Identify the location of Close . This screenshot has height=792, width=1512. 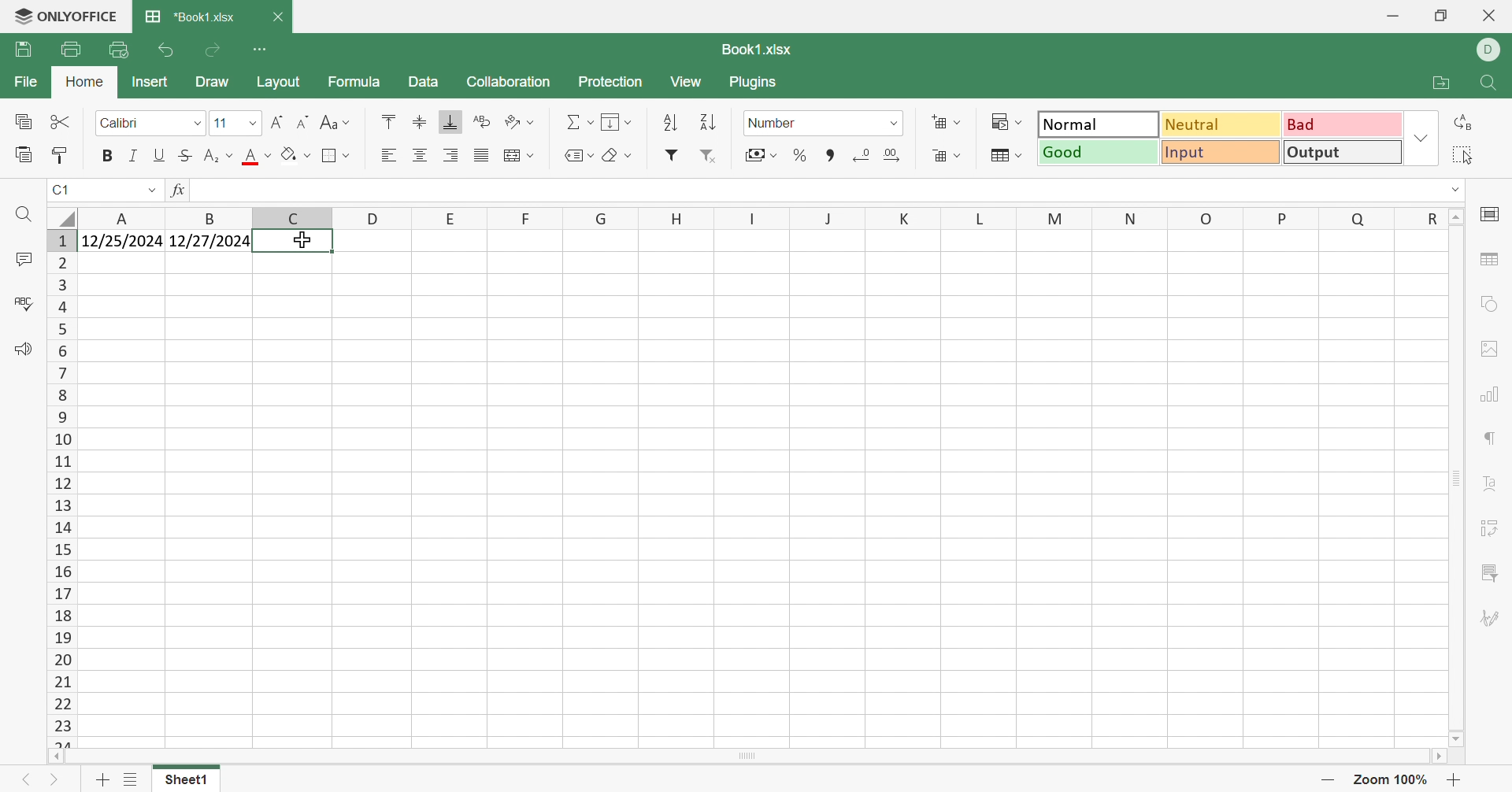
(1495, 16).